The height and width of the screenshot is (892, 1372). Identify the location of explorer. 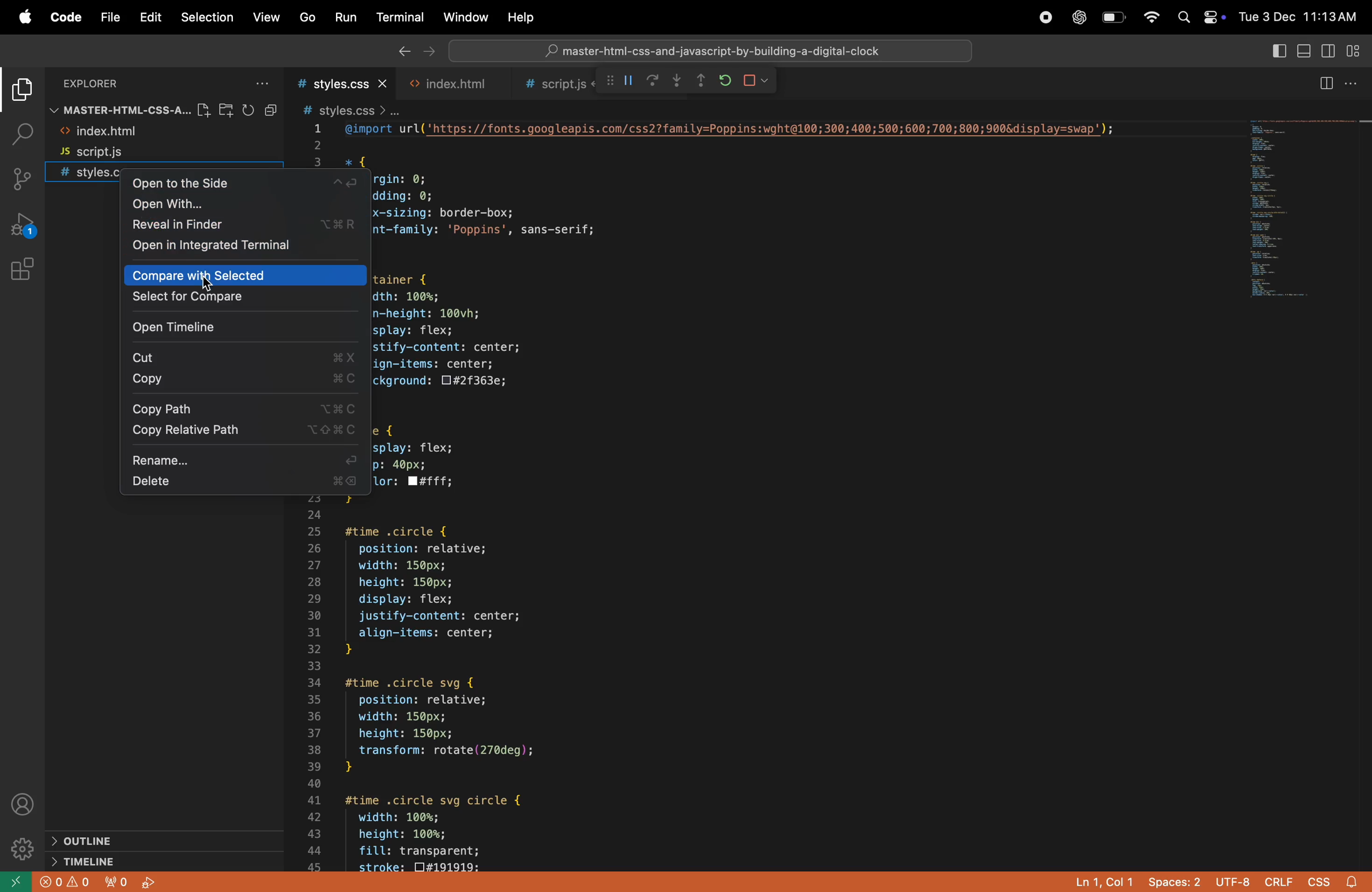
(109, 84).